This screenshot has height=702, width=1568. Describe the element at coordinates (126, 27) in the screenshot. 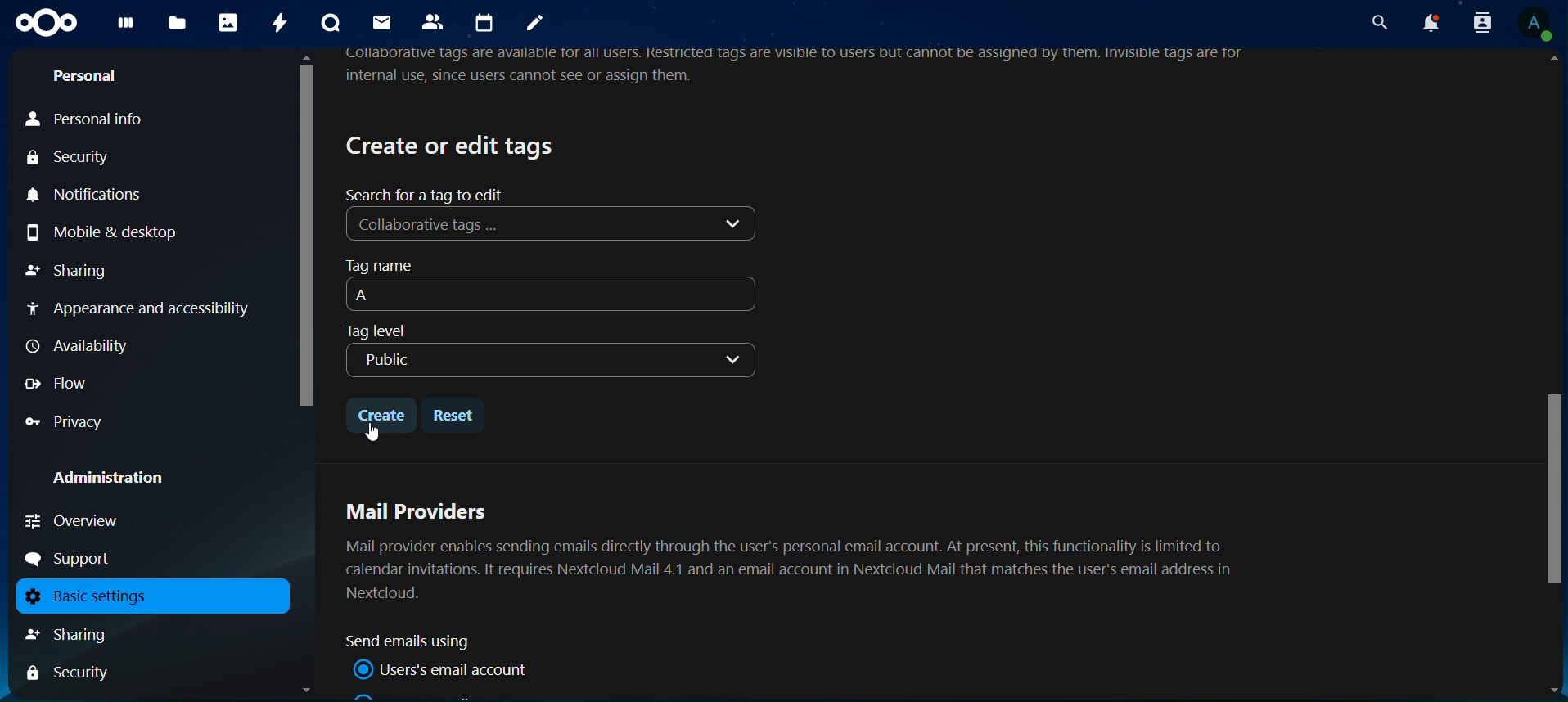

I see `dashboard` at that location.